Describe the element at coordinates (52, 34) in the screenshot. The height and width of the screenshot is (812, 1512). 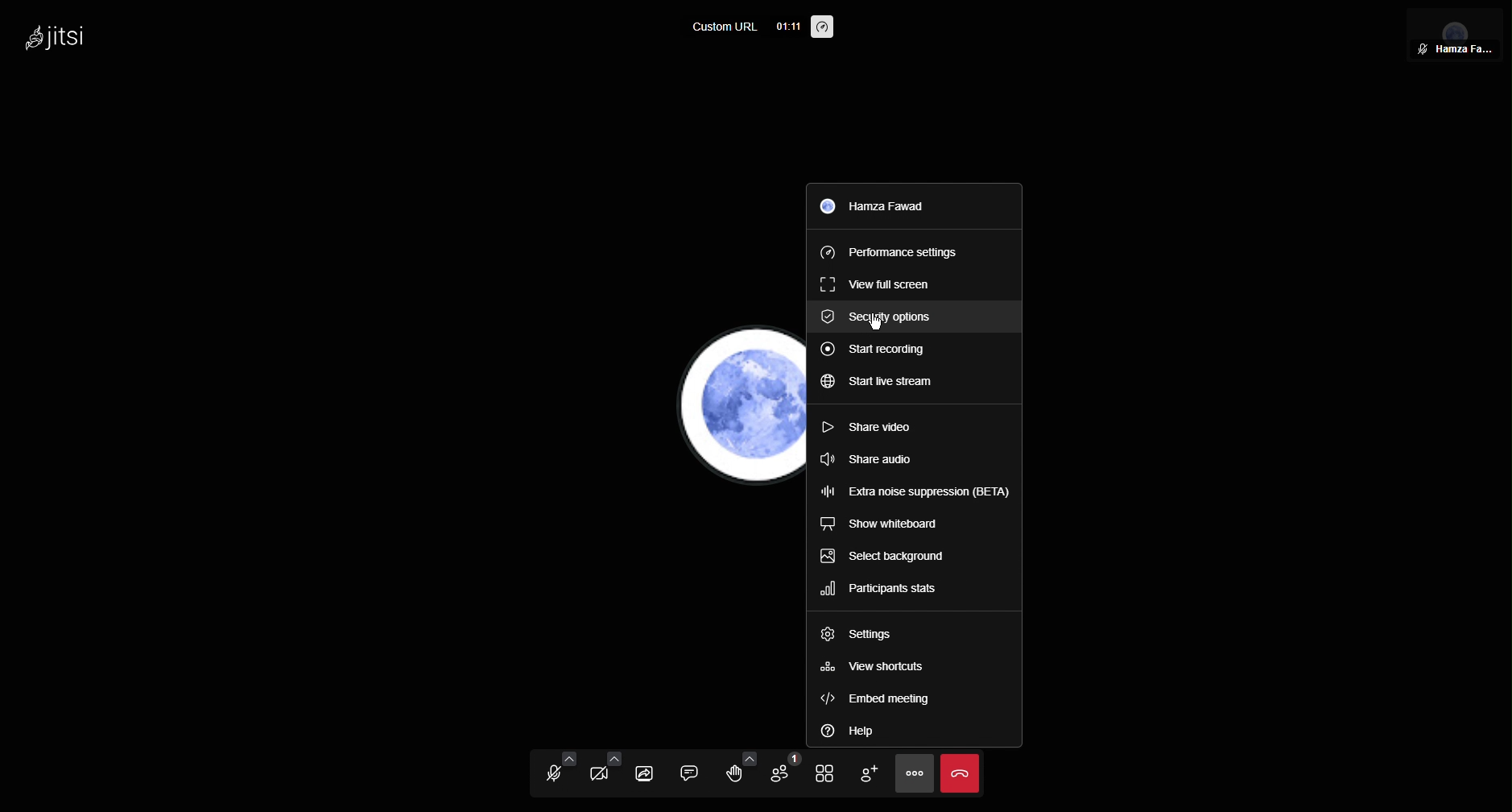
I see `jitsi` at that location.